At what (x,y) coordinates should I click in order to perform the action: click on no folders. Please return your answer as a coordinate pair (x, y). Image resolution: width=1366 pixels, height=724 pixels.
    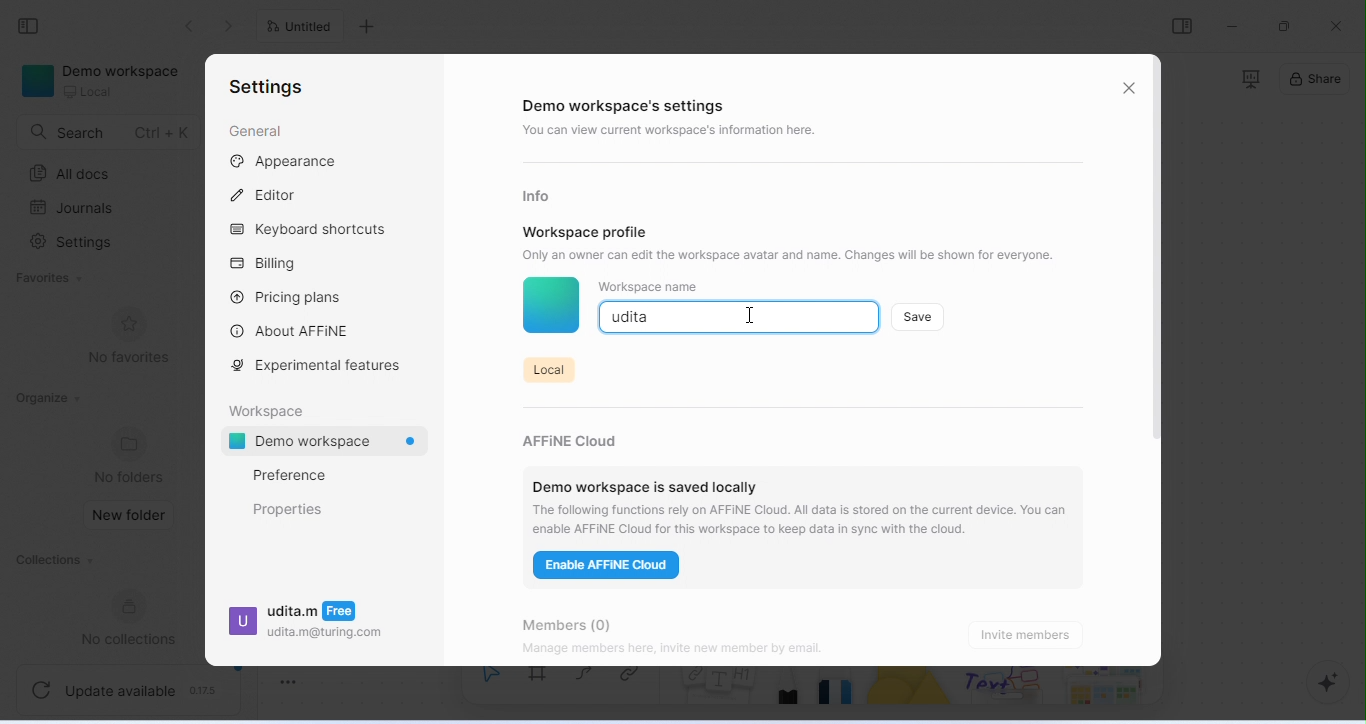
    Looking at the image, I should click on (132, 455).